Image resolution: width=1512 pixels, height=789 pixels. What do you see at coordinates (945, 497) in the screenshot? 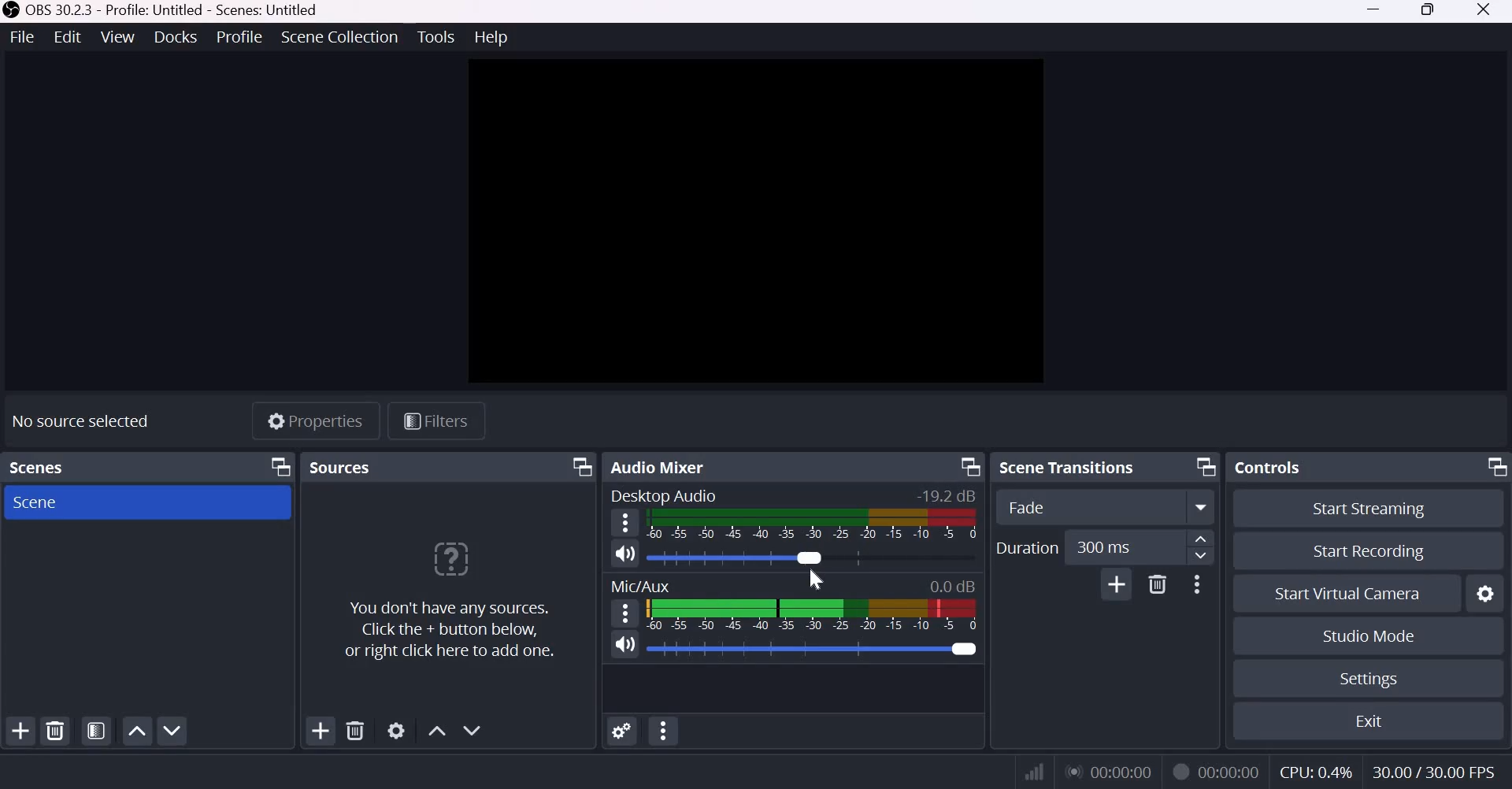
I see `-19.2dB` at bounding box center [945, 497].